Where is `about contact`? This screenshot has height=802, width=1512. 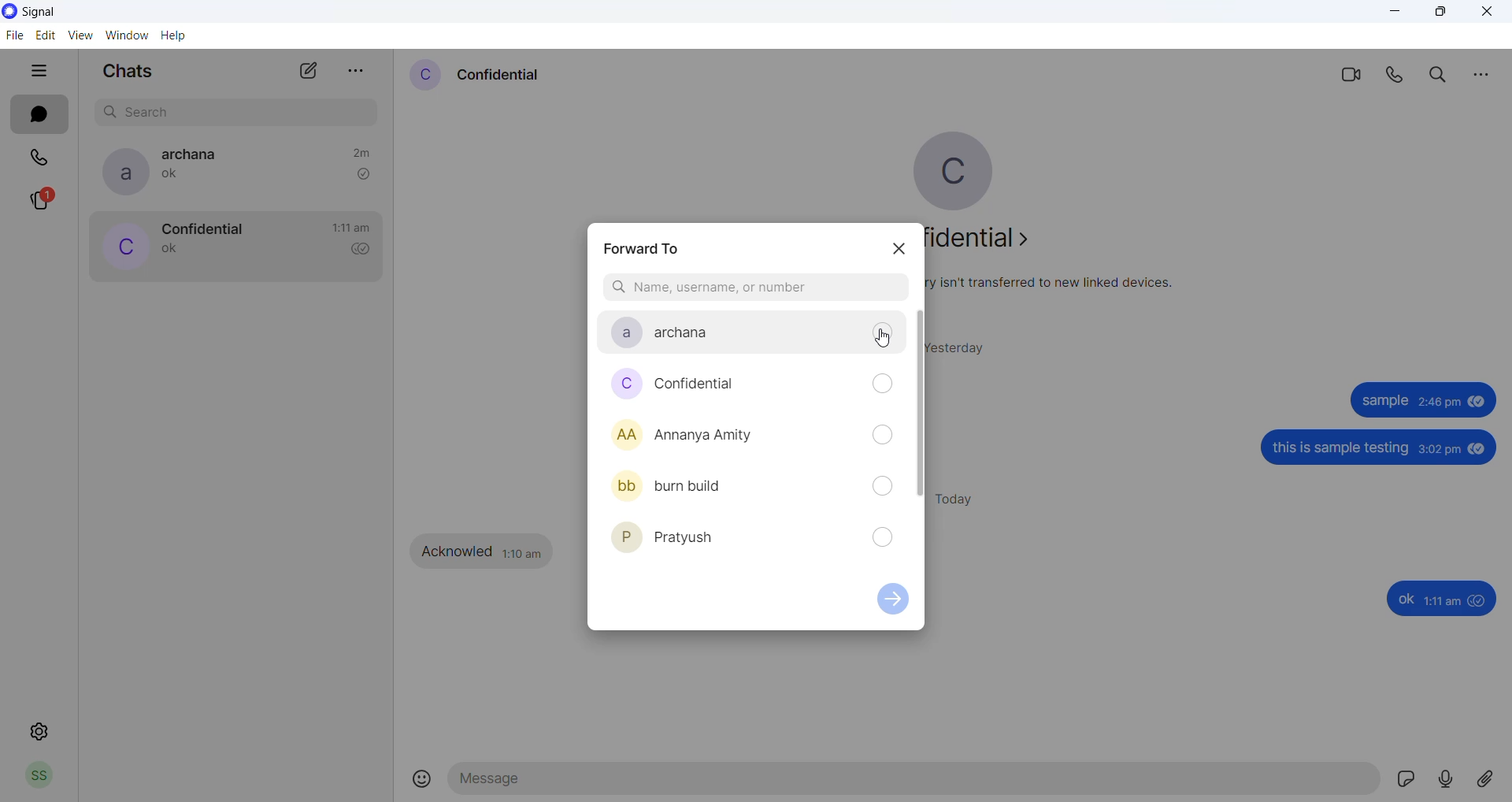 about contact is located at coordinates (991, 242).